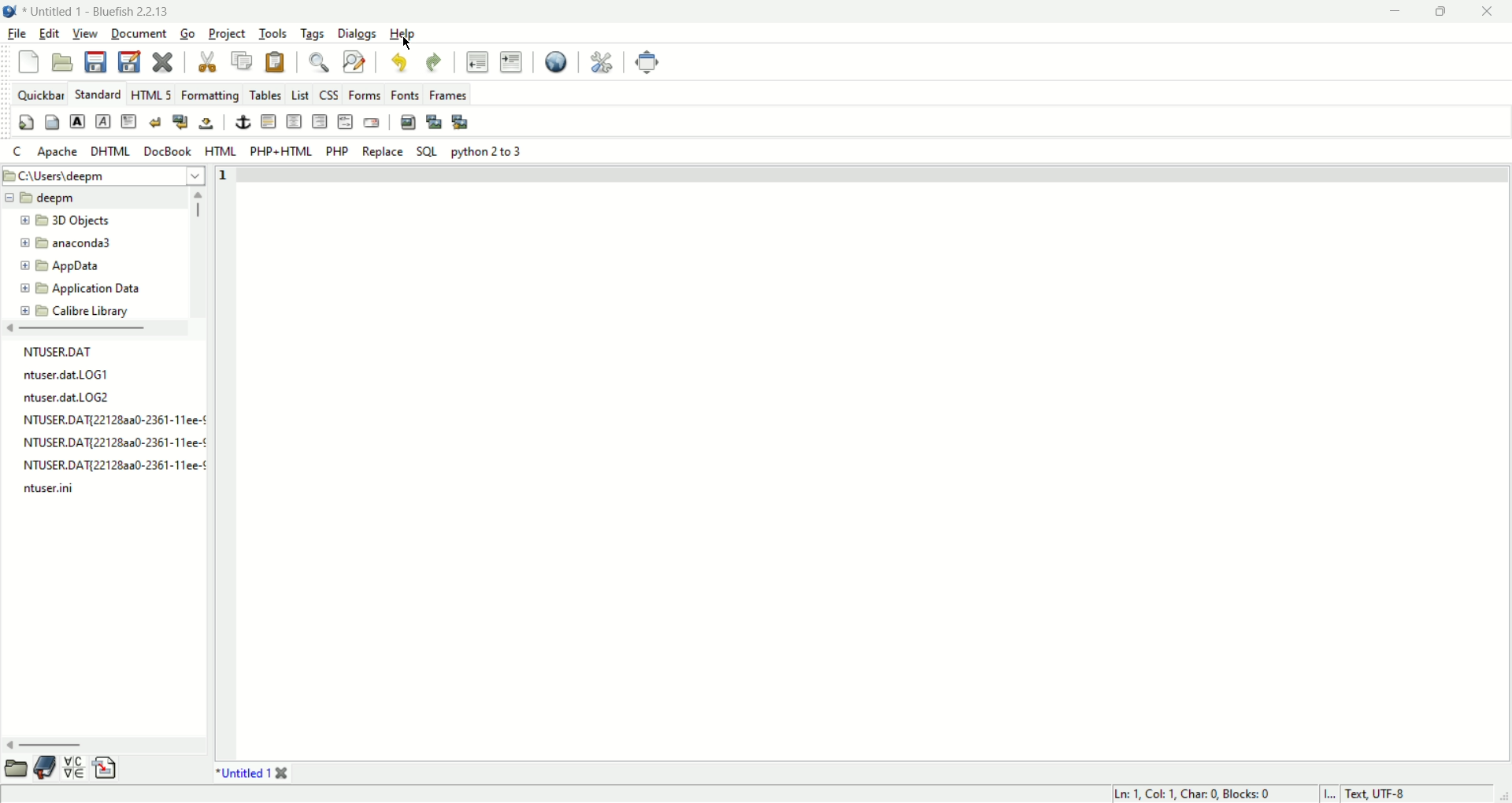 The image size is (1512, 803). What do you see at coordinates (435, 64) in the screenshot?
I see `redo` at bounding box center [435, 64].